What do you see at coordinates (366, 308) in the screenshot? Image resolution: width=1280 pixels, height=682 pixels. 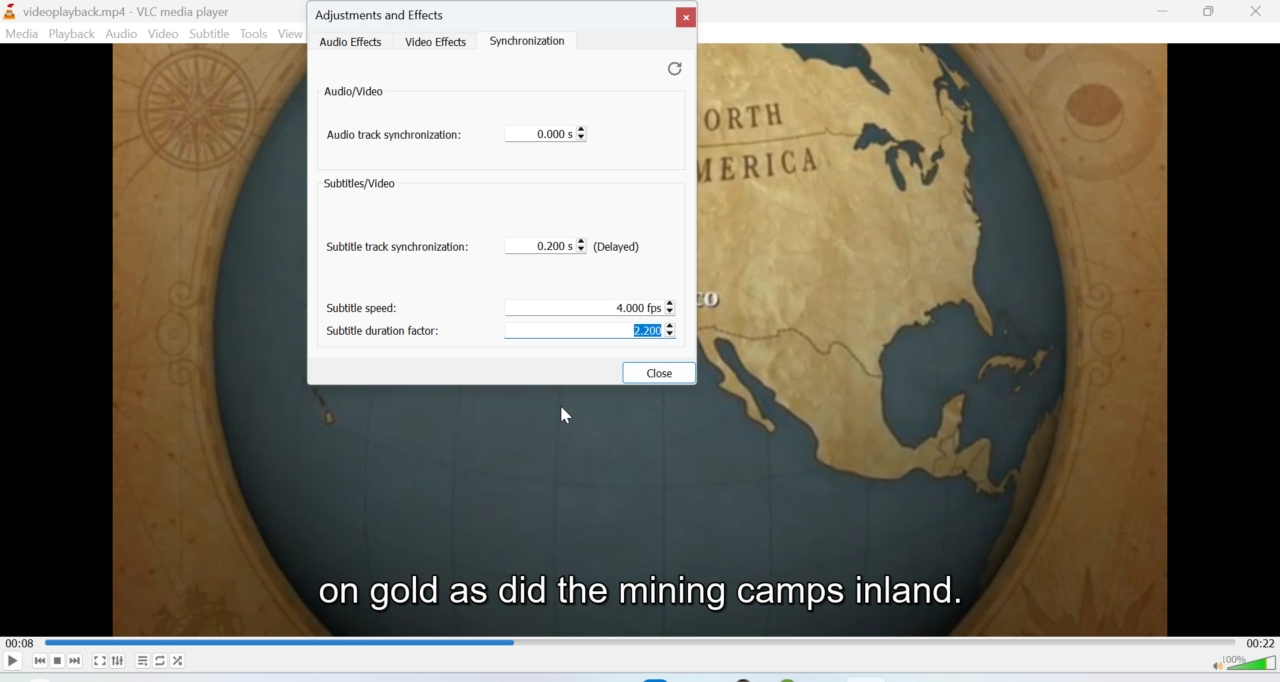 I see `subtitle speed:` at bounding box center [366, 308].